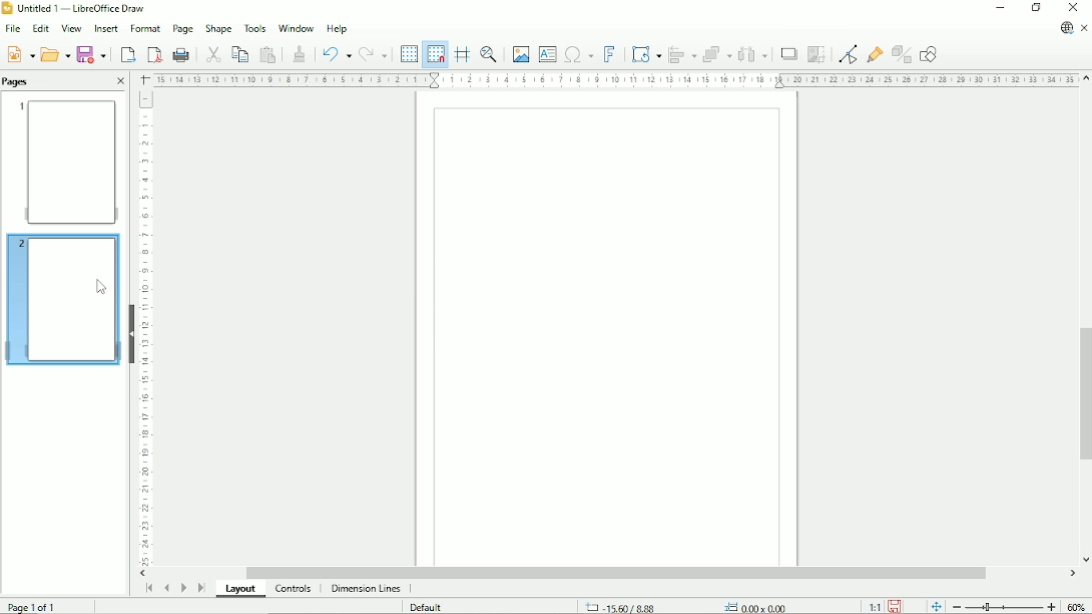 This screenshot has width=1092, height=614. I want to click on New, so click(19, 53).